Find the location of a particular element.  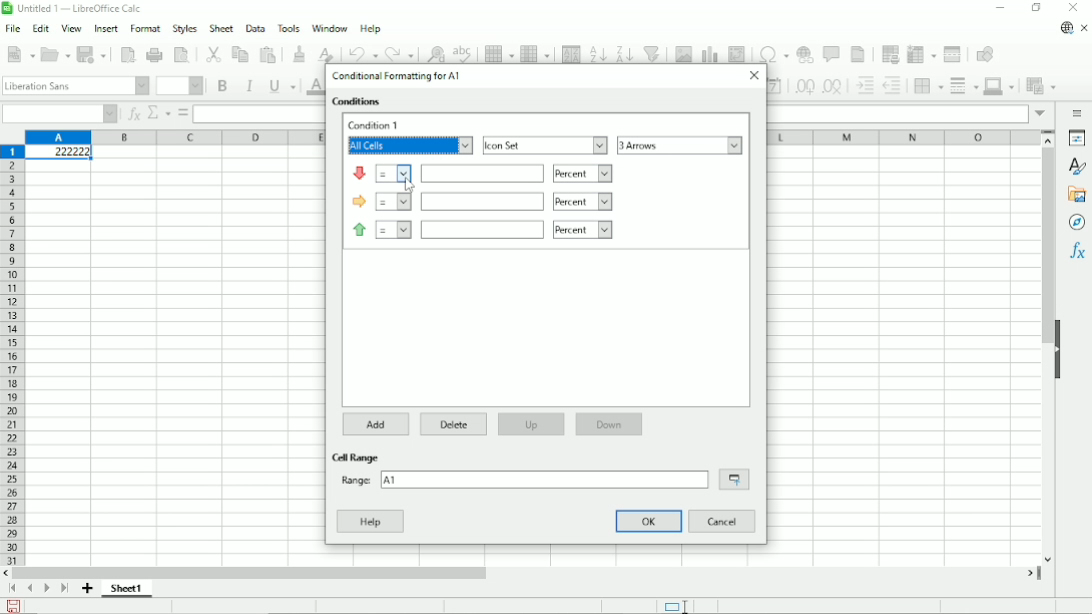

Scroll to next page is located at coordinates (47, 589).